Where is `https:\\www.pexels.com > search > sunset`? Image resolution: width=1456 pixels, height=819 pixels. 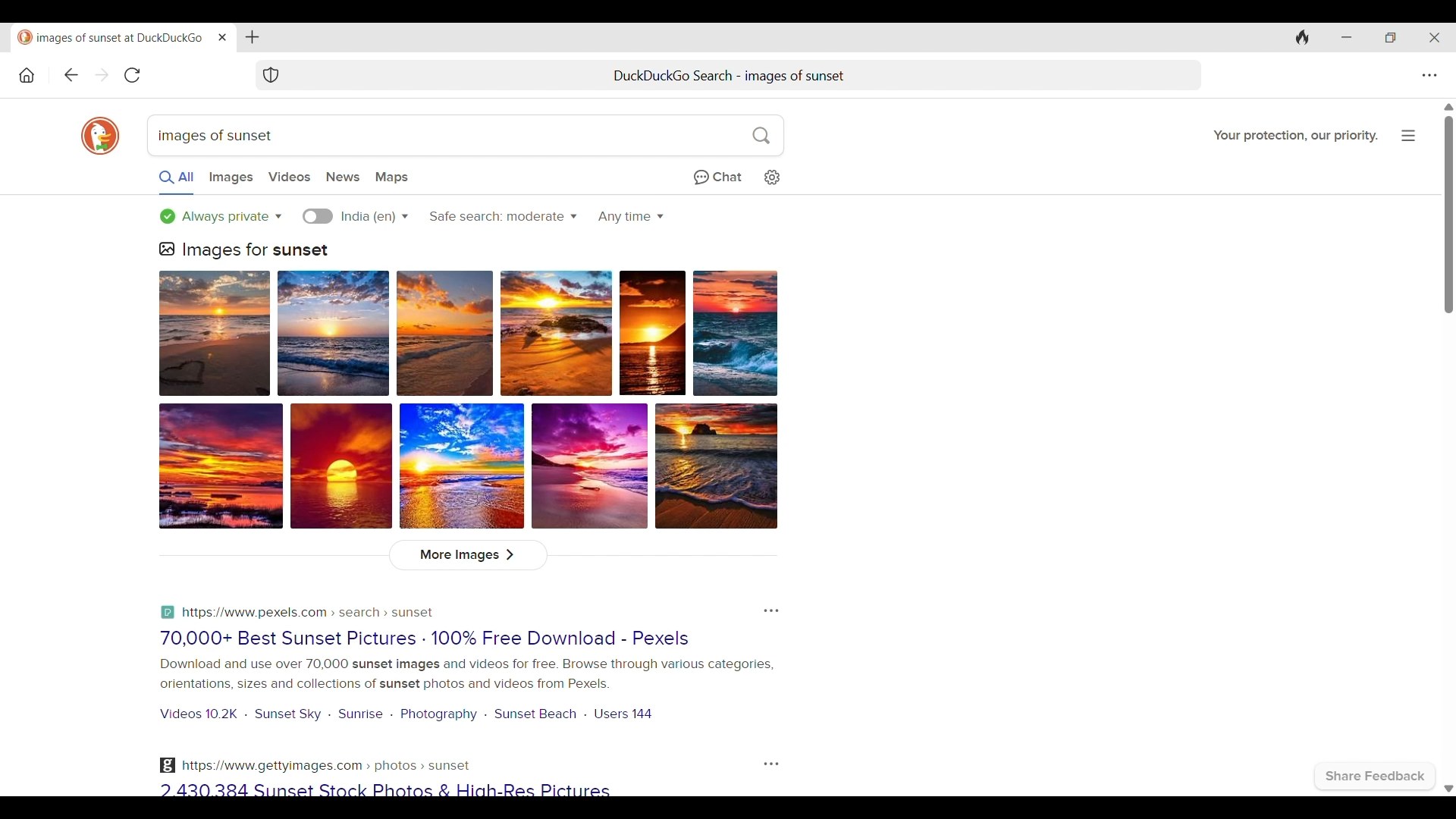
https:\\www.pexels.com > search > sunset is located at coordinates (300, 610).